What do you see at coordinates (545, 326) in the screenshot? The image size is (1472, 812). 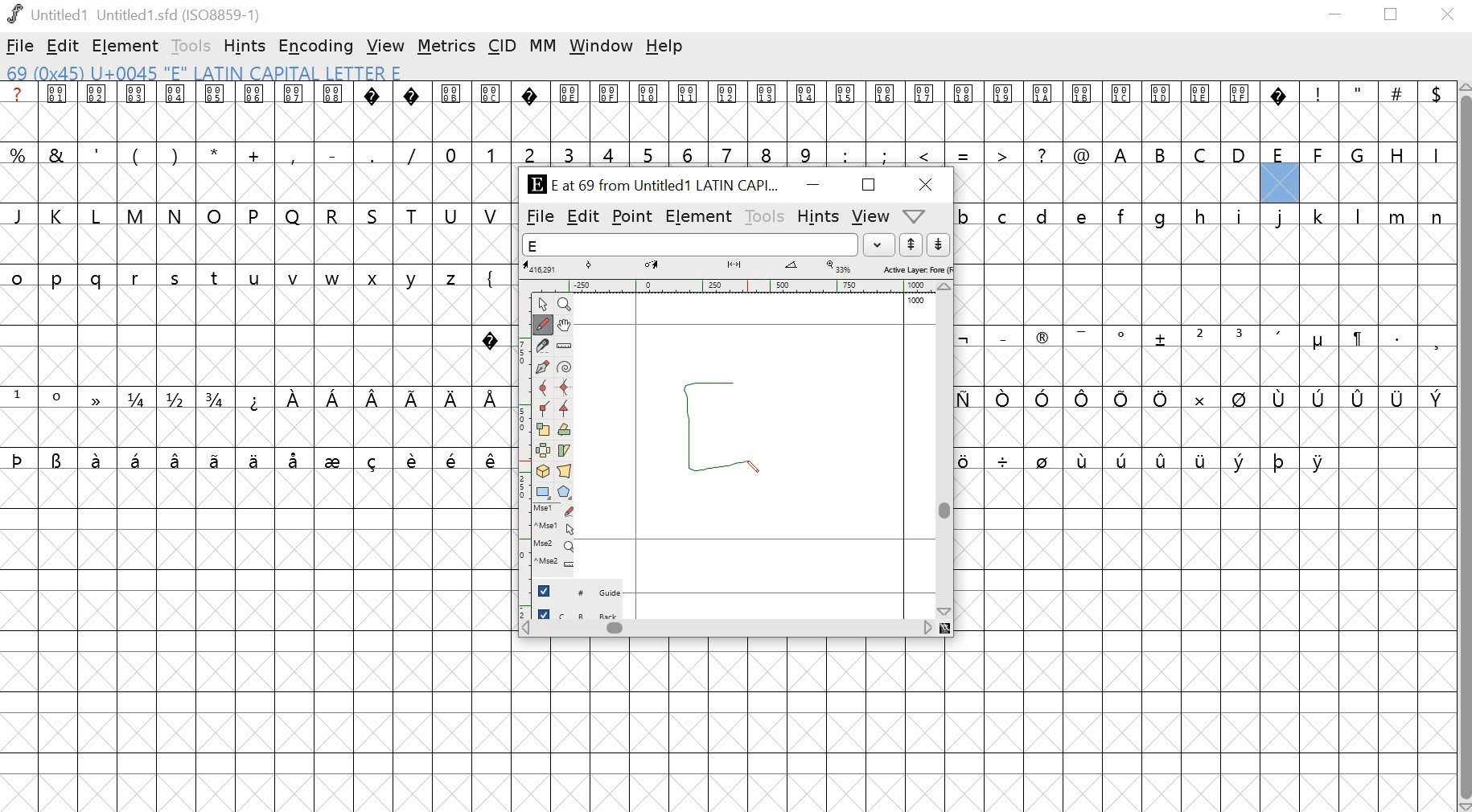 I see `Freehand` at bounding box center [545, 326].